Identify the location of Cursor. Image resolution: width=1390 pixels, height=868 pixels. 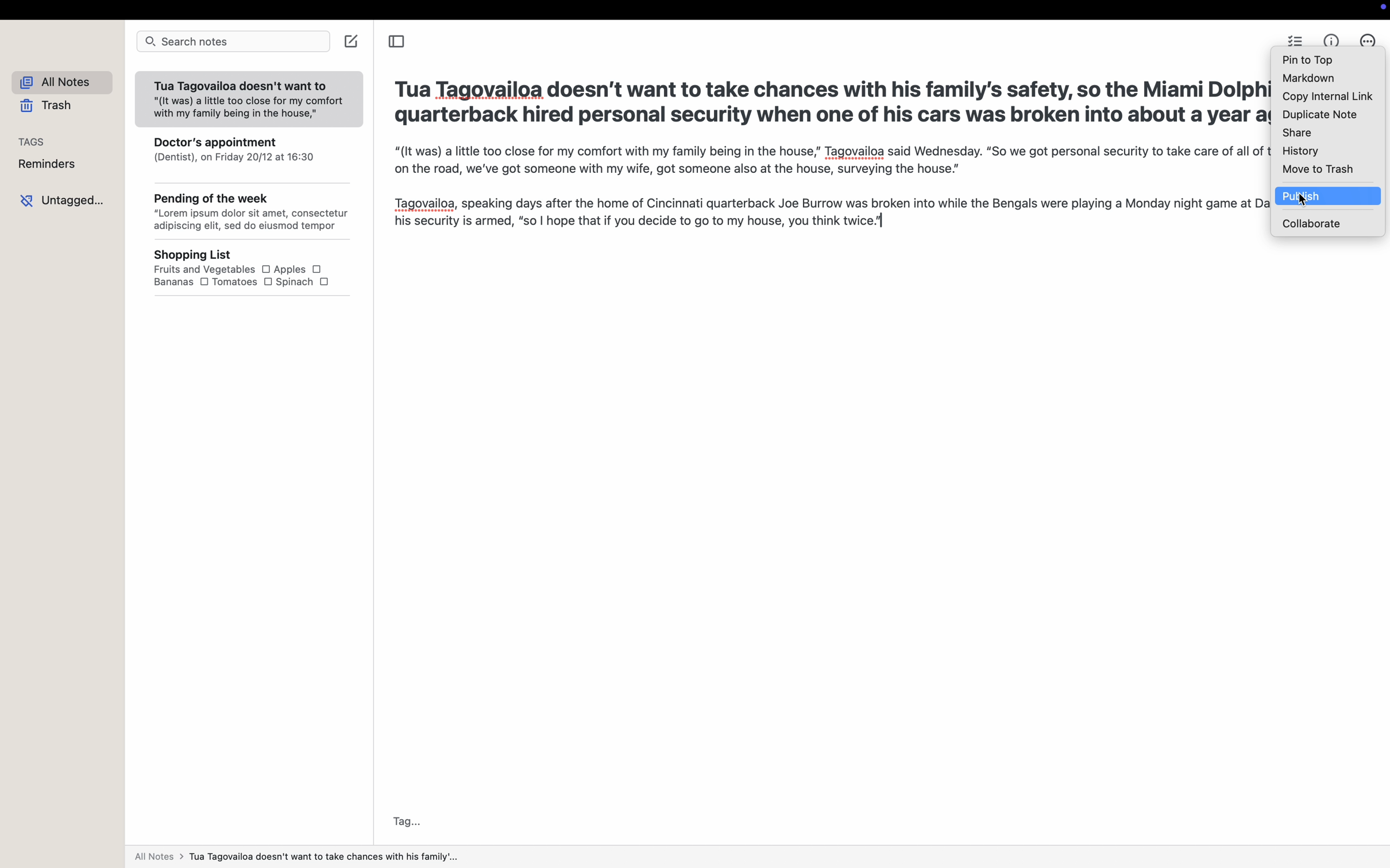
(1303, 198).